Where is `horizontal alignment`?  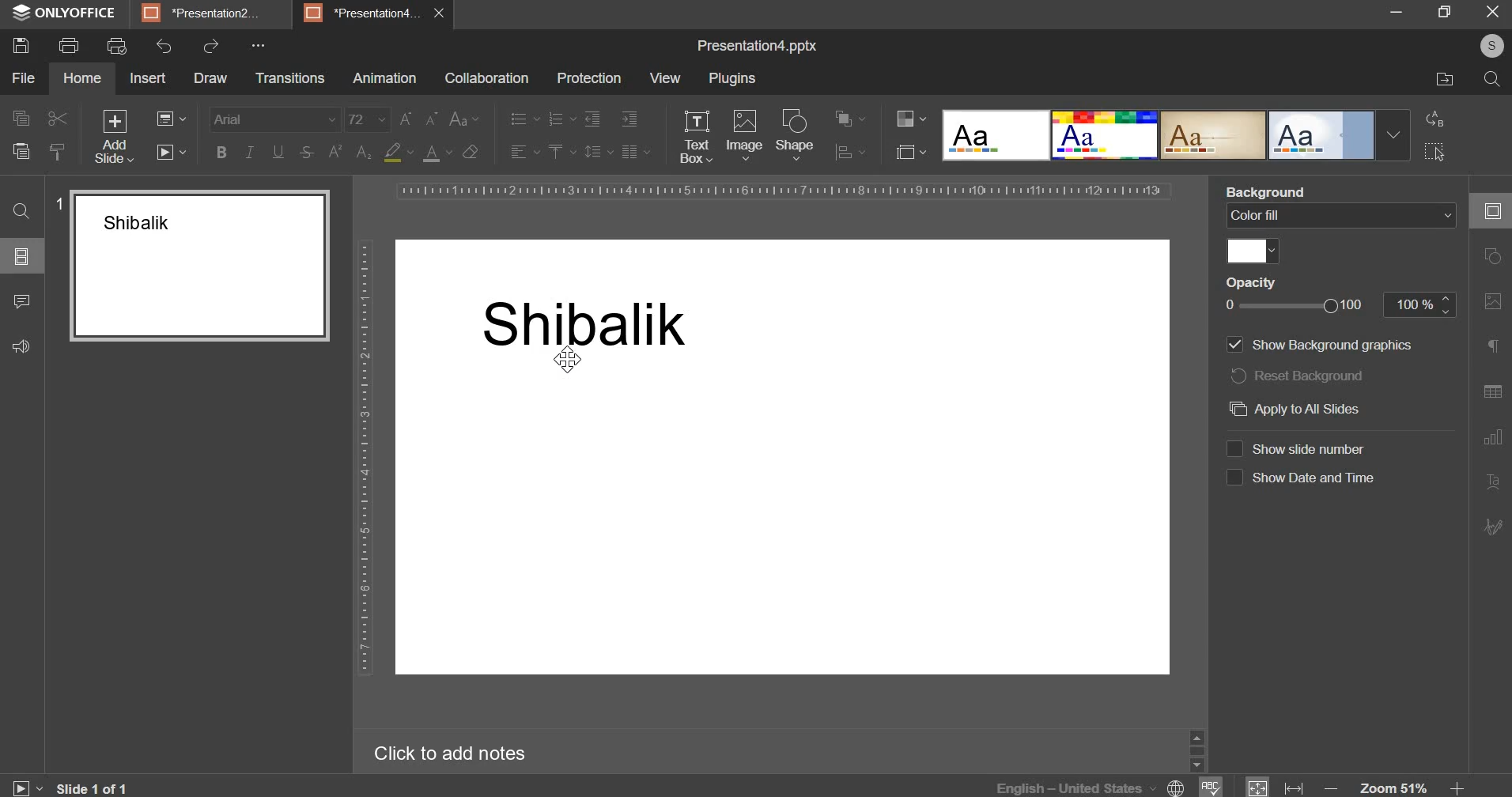 horizontal alignment is located at coordinates (524, 149).